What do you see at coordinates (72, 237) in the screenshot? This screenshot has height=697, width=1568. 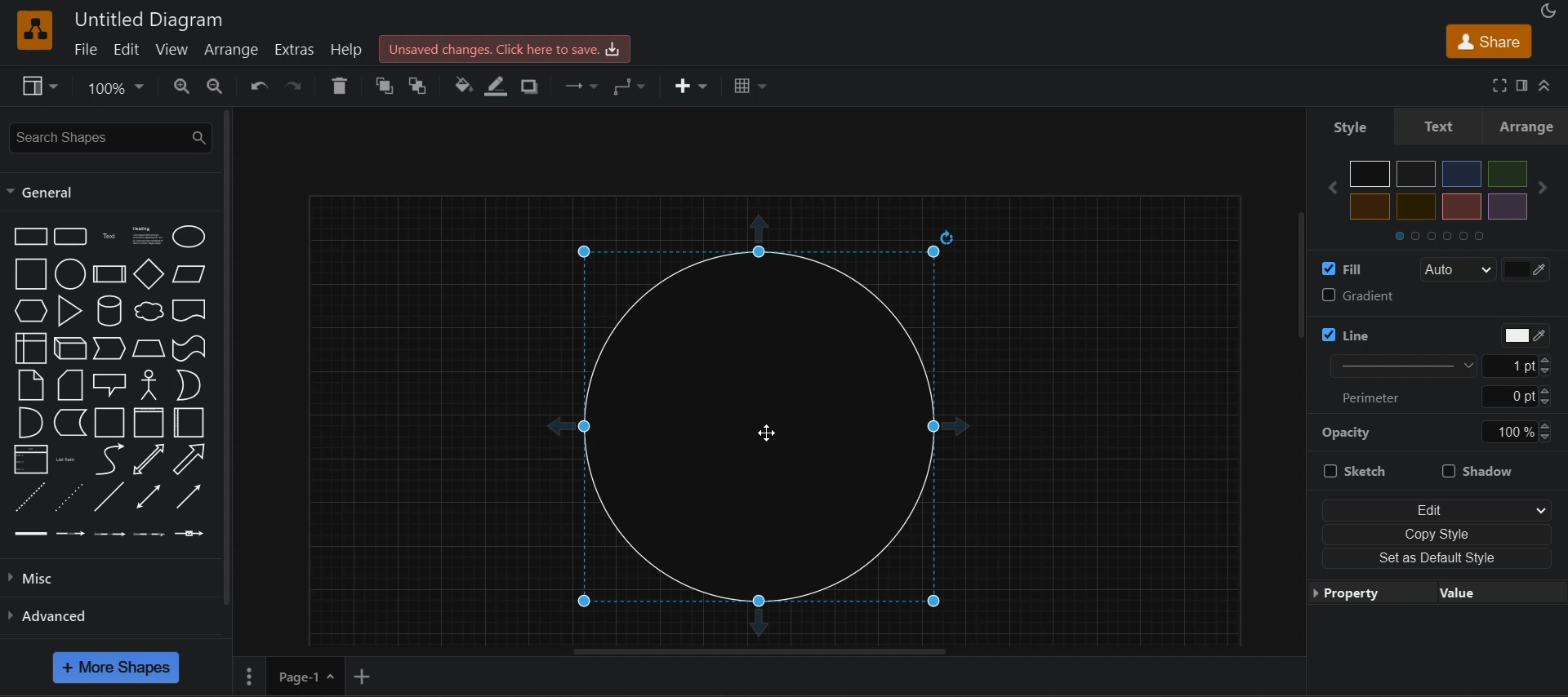 I see `rounded rectangle` at bounding box center [72, 237].